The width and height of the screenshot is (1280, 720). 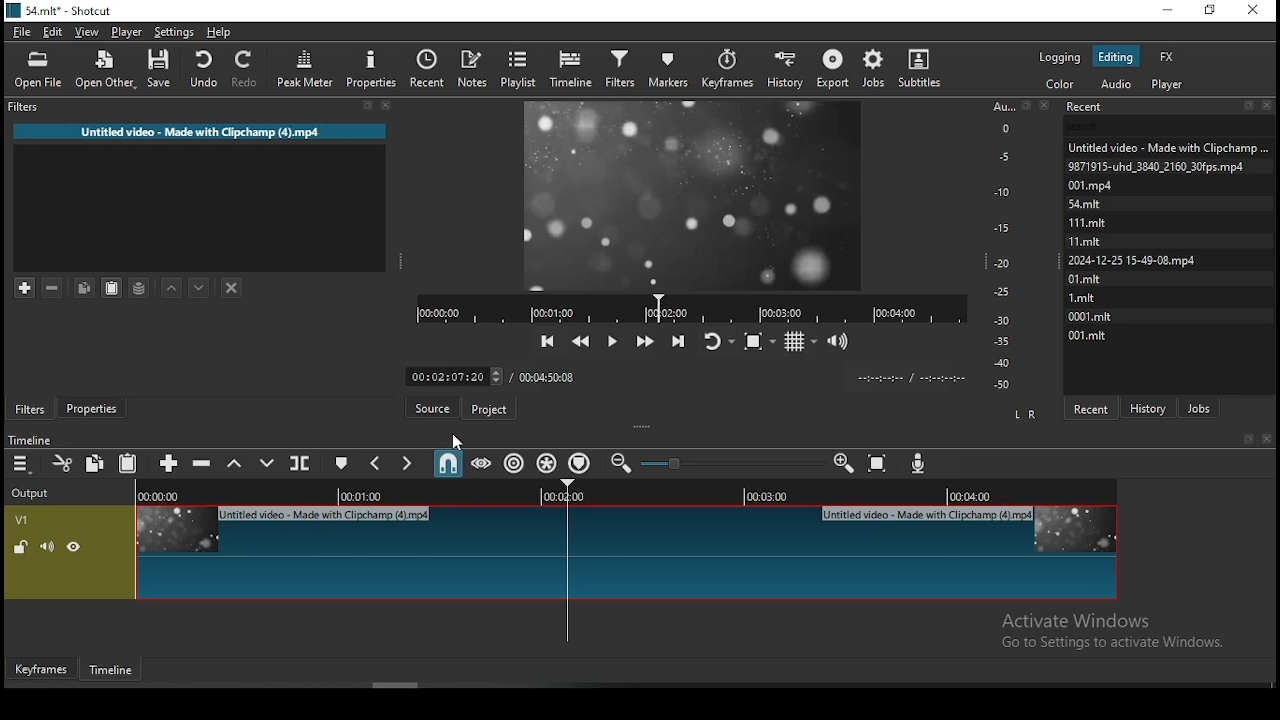 What do you see at coordinates (917, 464) in the screenshot?
I see `record audio` at bounding box center [917, 464].